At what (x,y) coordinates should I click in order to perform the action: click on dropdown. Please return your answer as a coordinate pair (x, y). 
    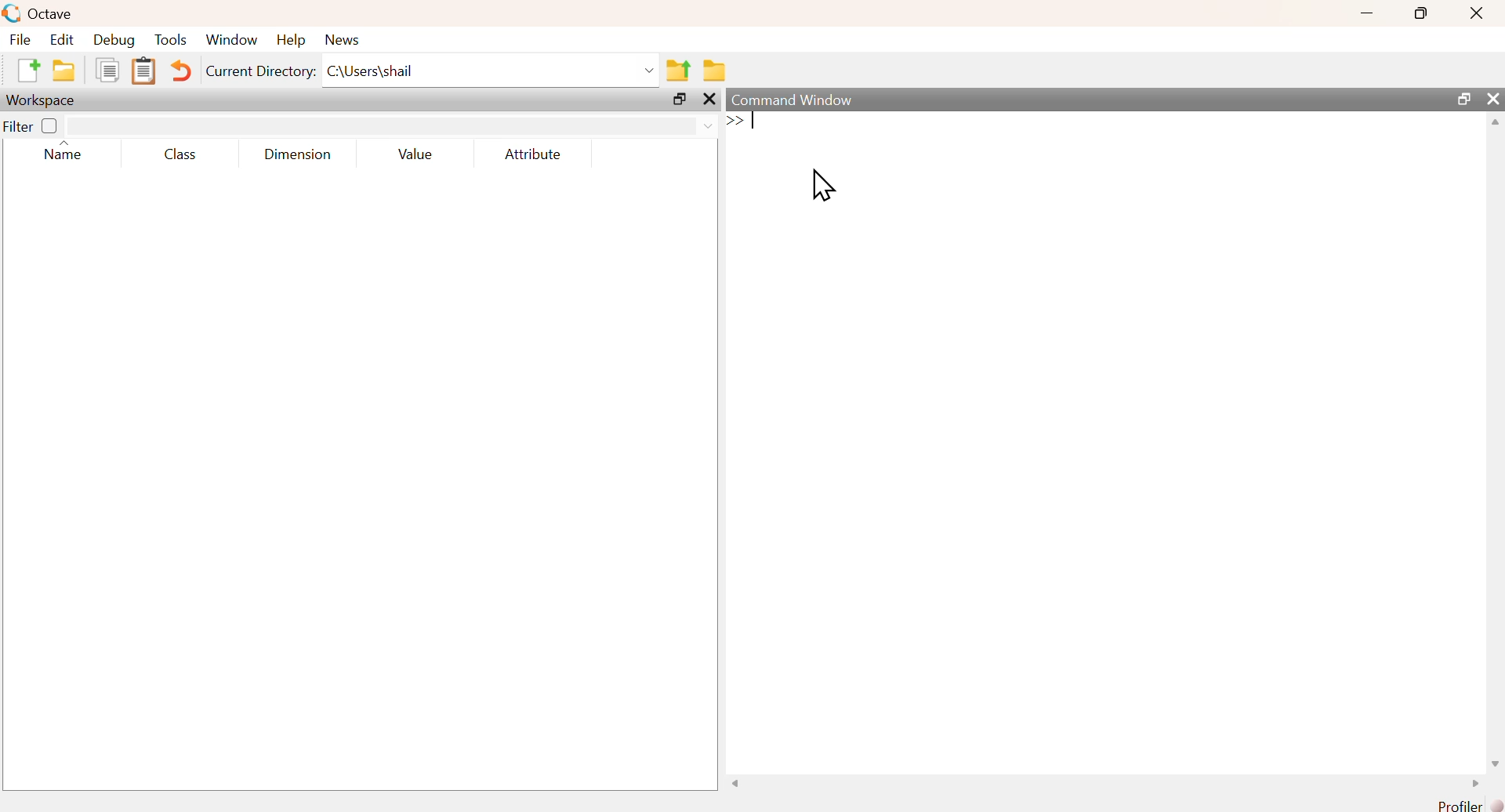
    Looking at the image, I should click on (706, 125).